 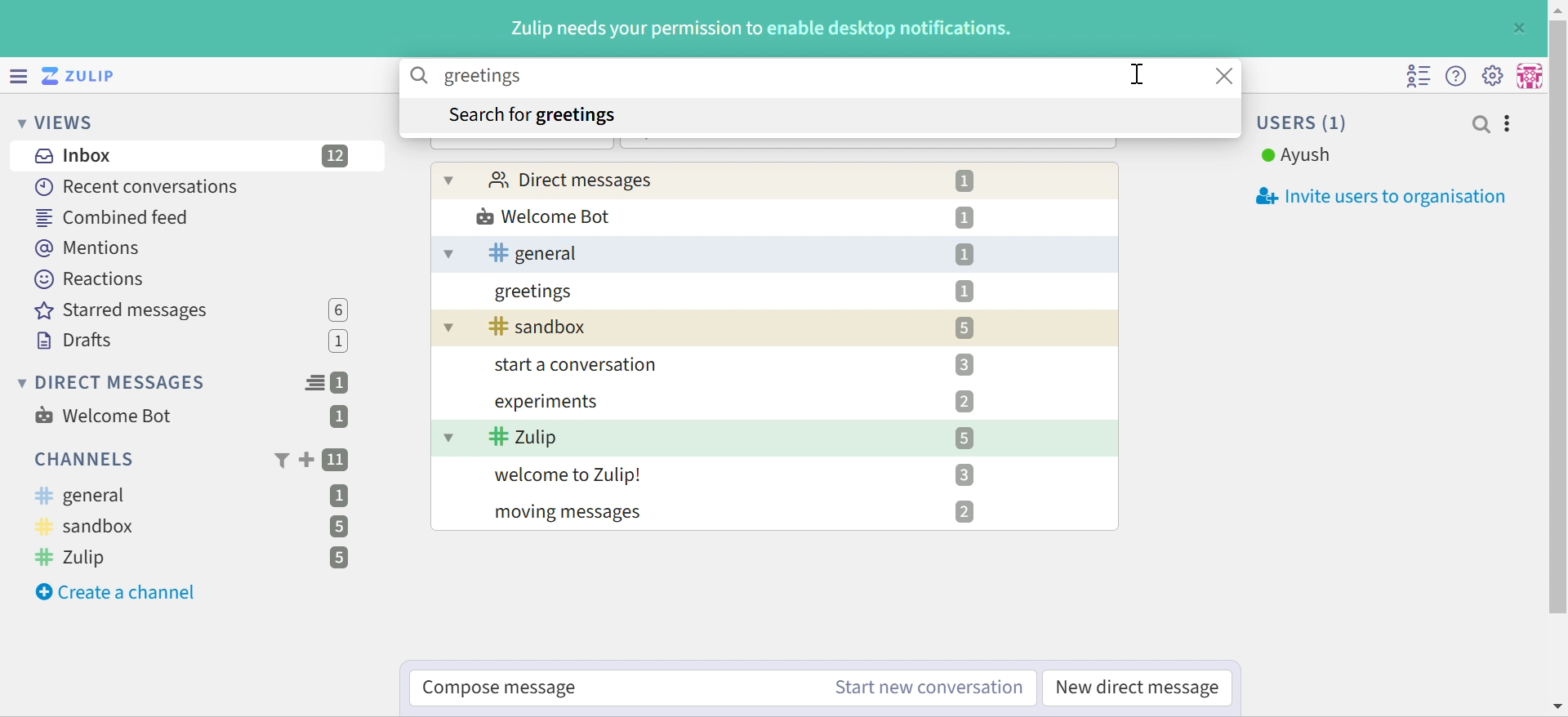 What do you see at coordinates (421, 76) in the screenshot?
I see `Search icon` at bounding box center [421, 76].